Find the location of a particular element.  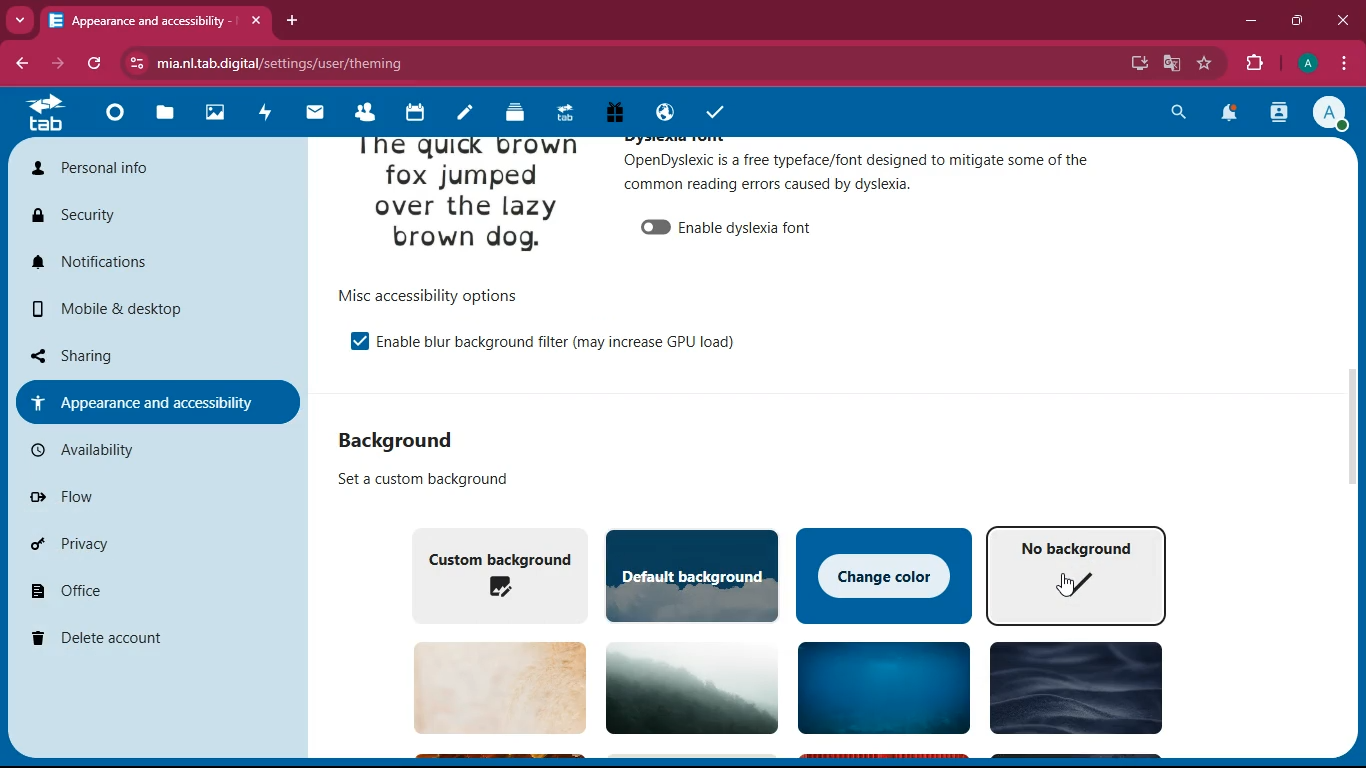

enable is located at coordinates (350, 340).